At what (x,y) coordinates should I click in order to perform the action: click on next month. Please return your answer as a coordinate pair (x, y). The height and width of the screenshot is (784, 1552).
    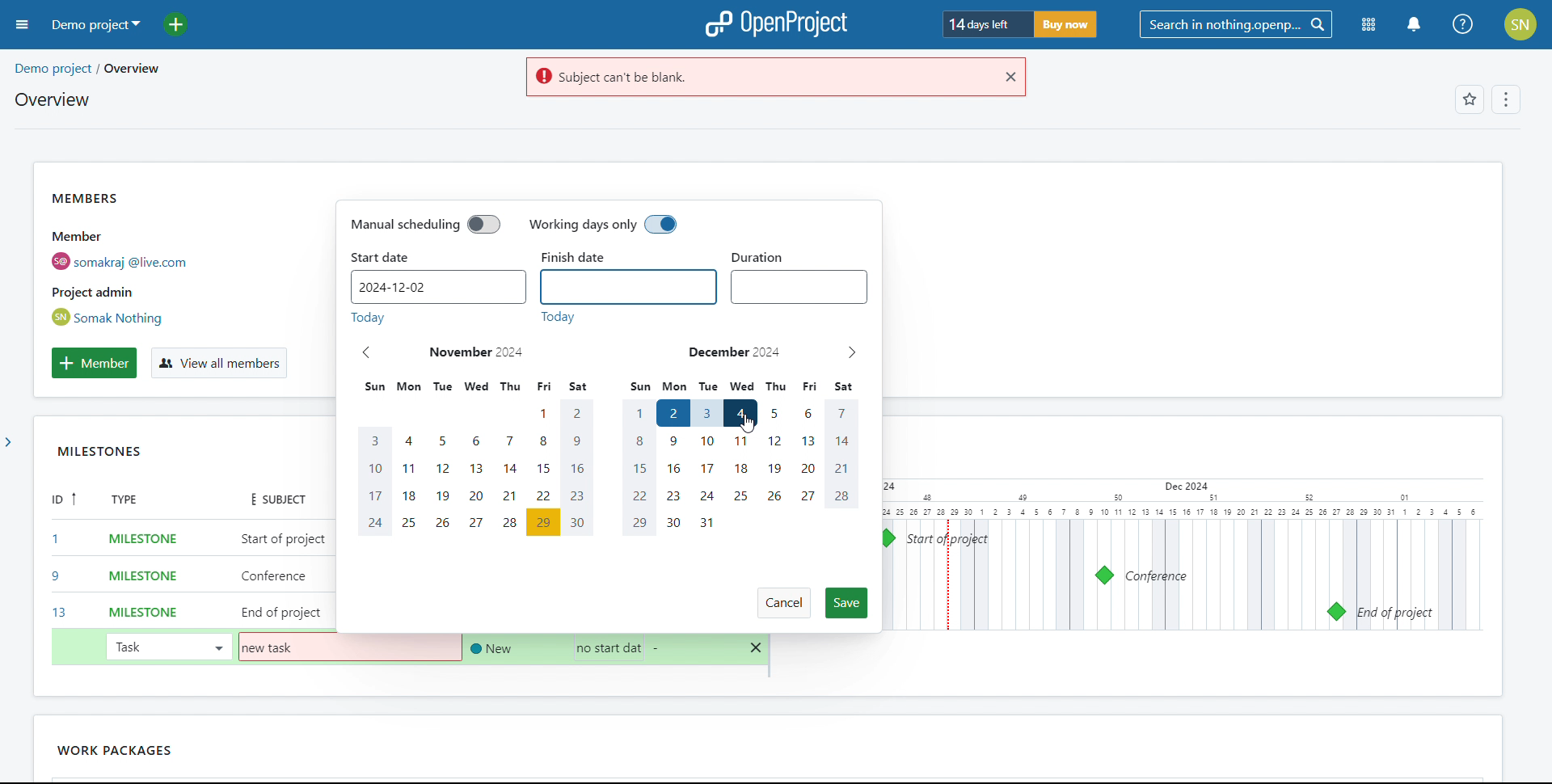
    Looking at the image, I should click on (851, 353).